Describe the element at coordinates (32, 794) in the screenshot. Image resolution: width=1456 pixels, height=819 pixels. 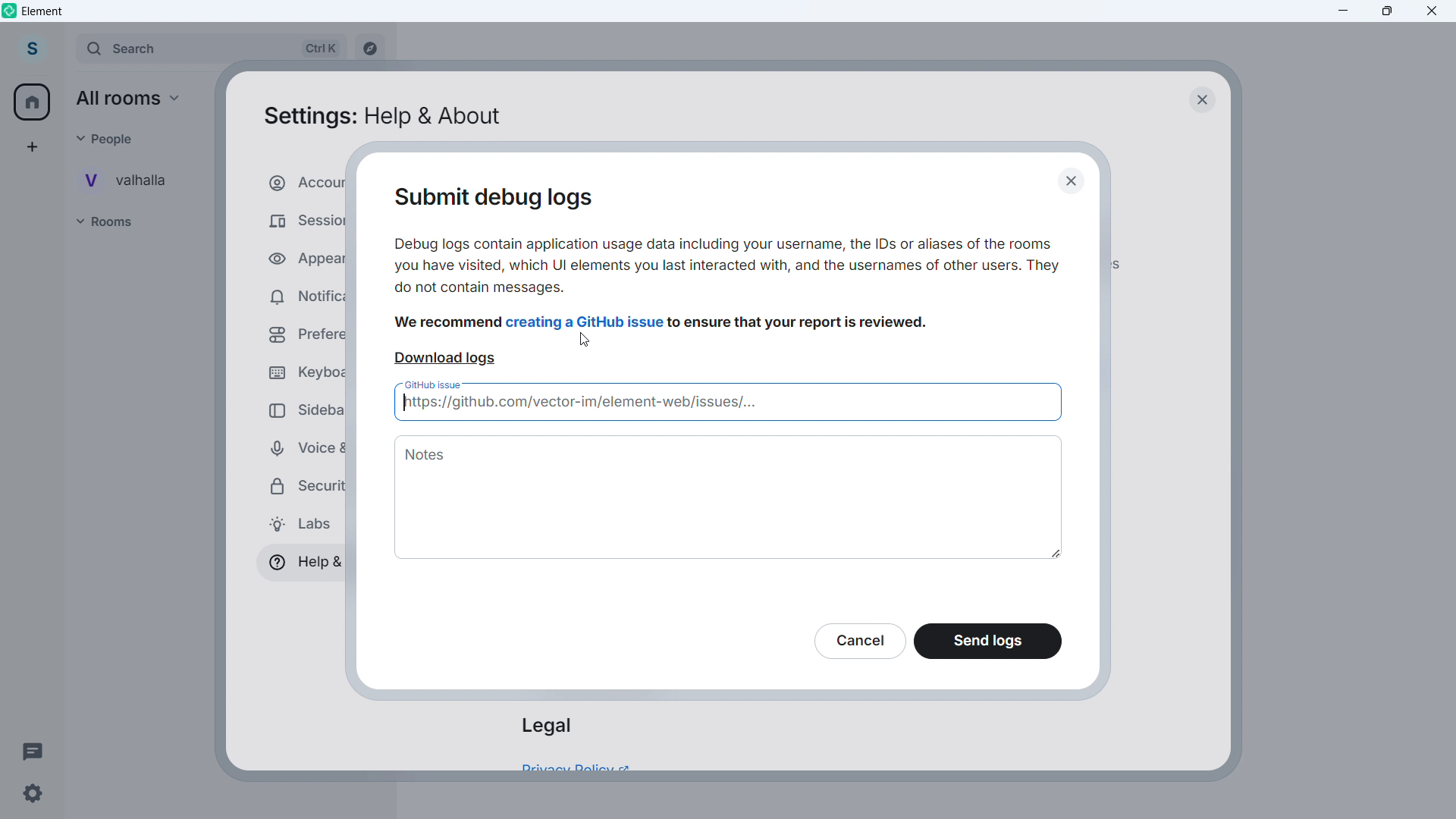
I see `Settings ` at that location.